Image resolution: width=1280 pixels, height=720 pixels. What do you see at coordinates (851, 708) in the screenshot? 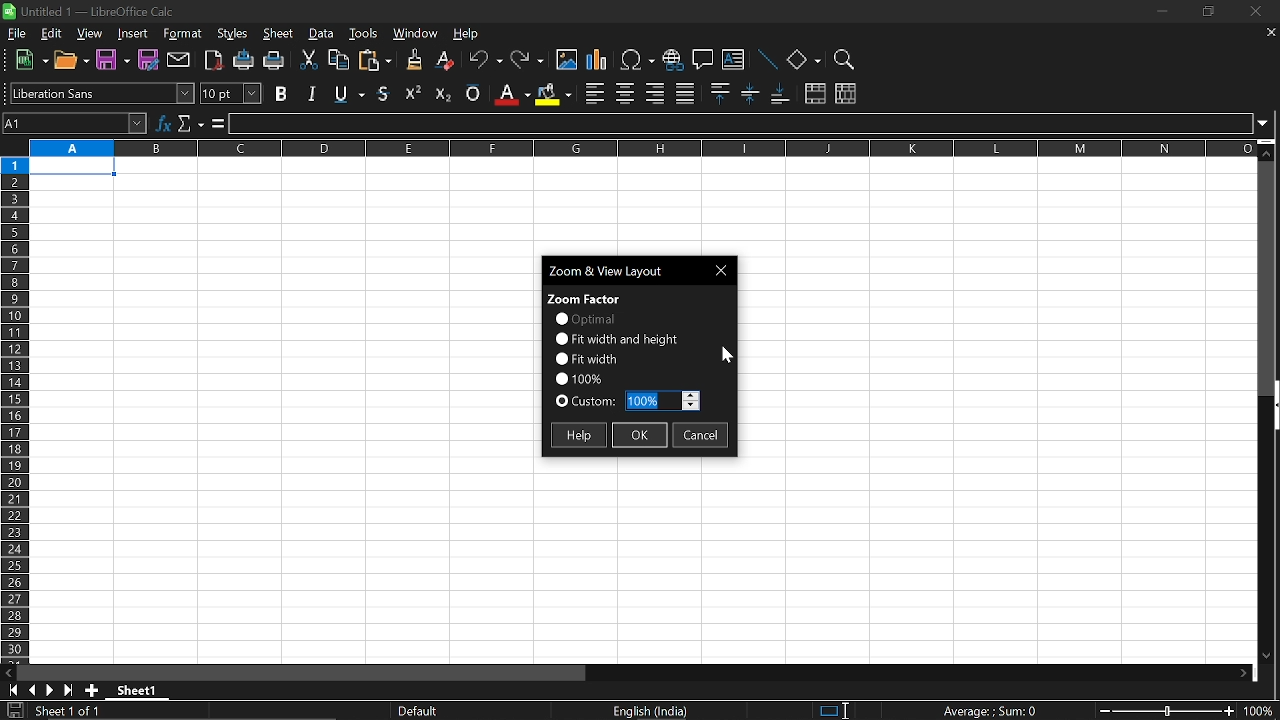
I see `Cursor` at bounding box center [851, 708].